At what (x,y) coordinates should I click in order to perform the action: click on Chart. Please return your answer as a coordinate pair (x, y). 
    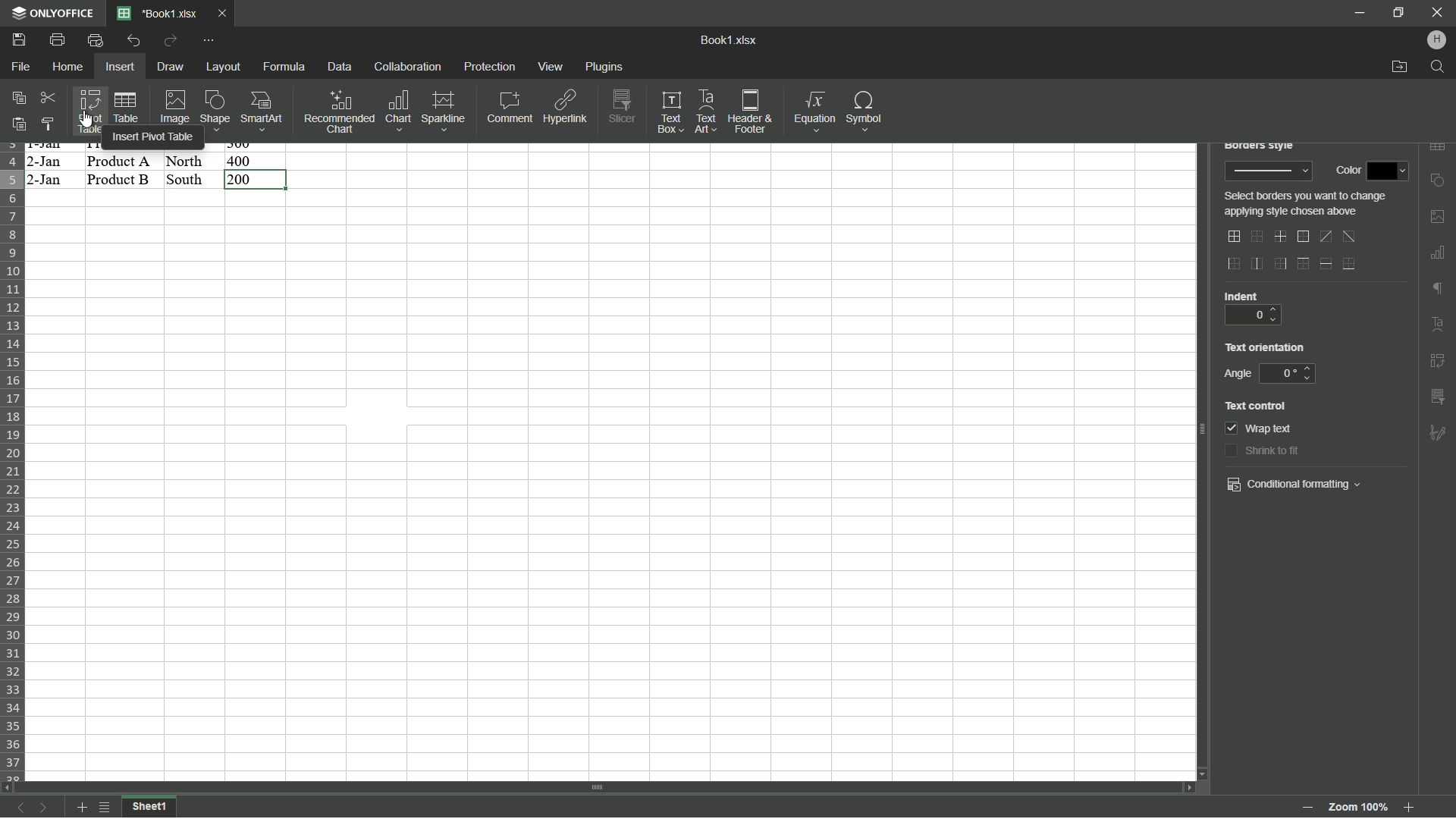
    Looking at the image, I should click on (398, 111).